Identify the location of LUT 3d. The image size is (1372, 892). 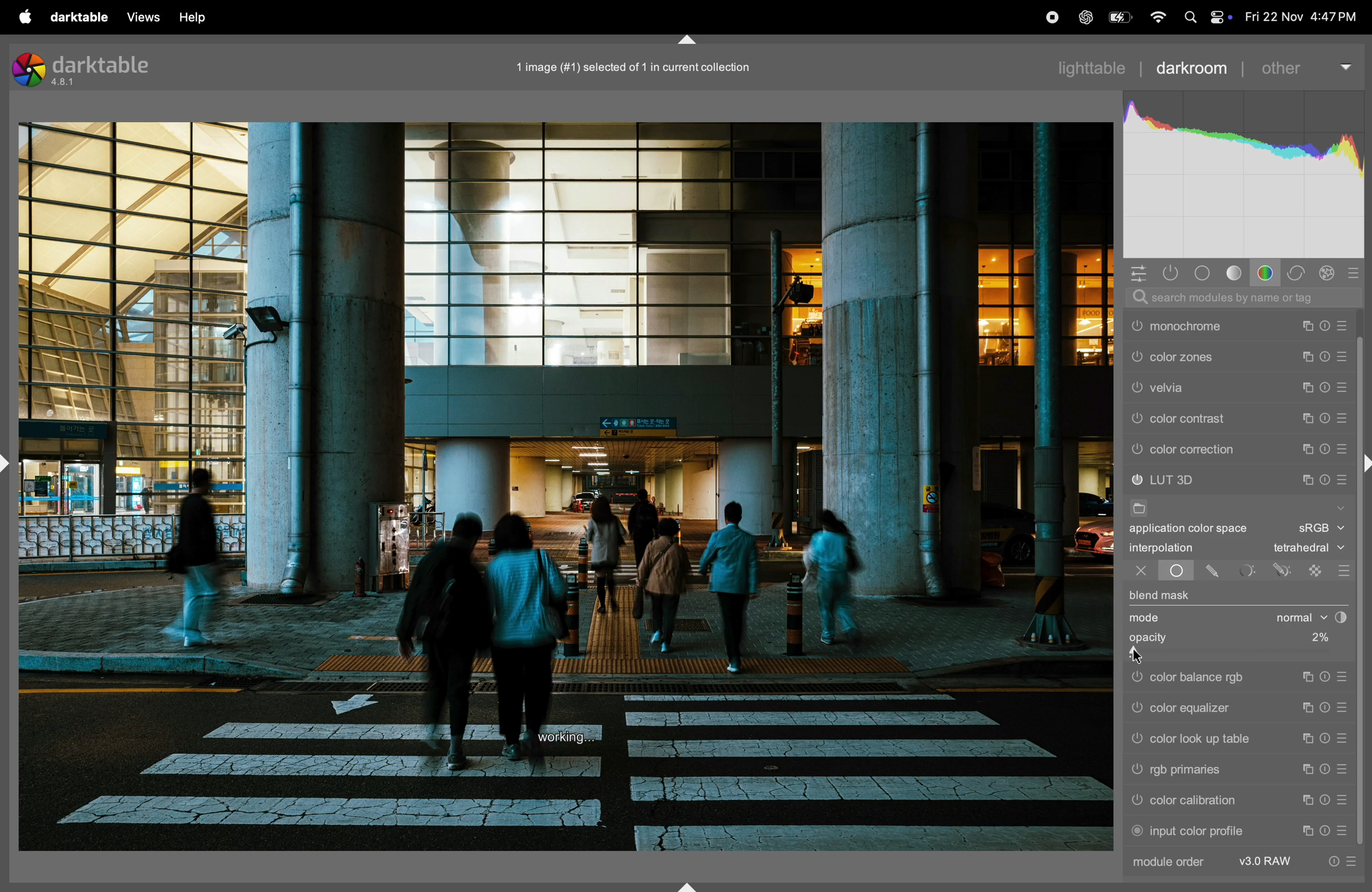
(1219, 478).